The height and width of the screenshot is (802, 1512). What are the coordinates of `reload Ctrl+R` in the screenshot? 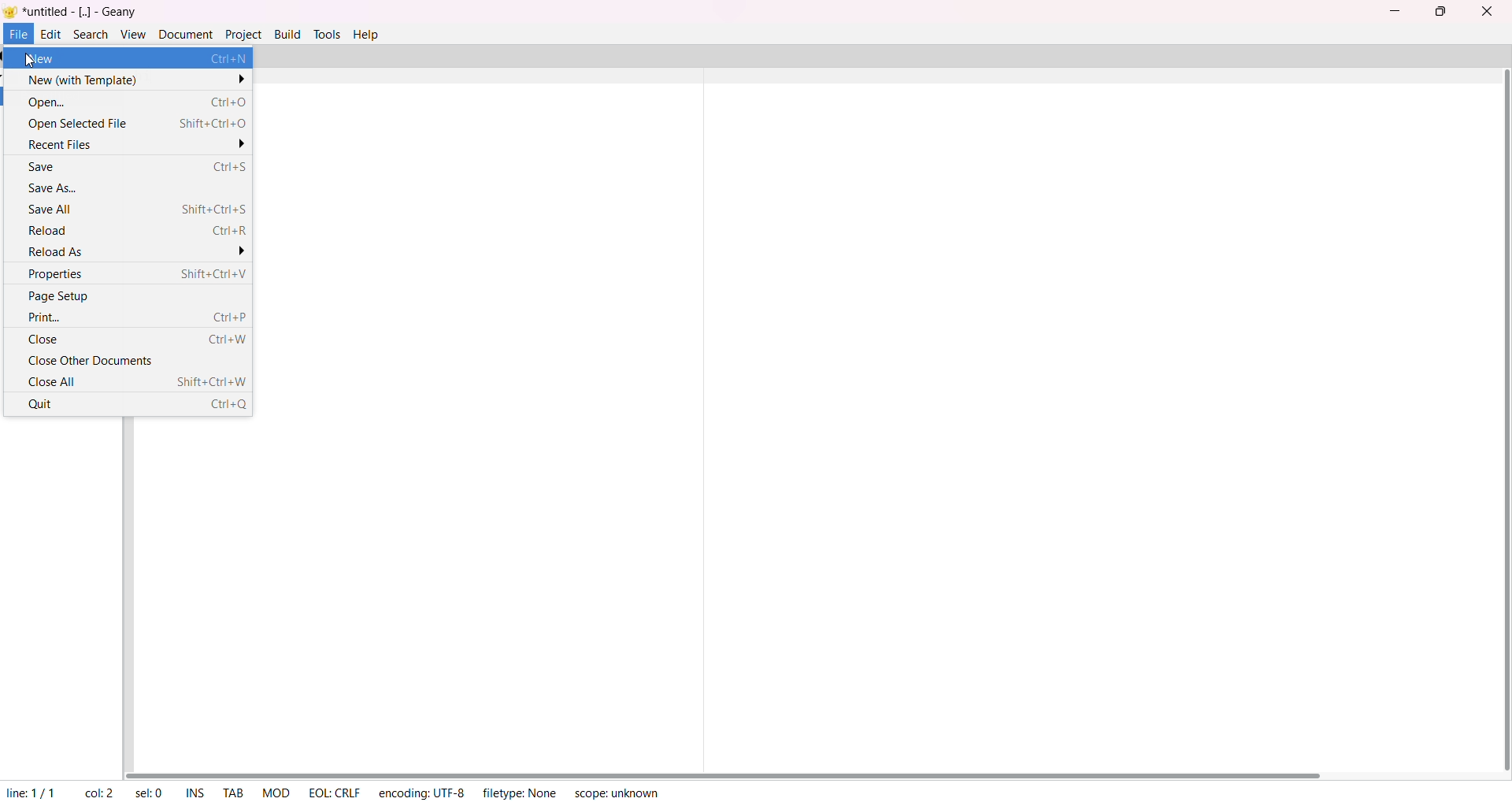 It's located at (139, 232).